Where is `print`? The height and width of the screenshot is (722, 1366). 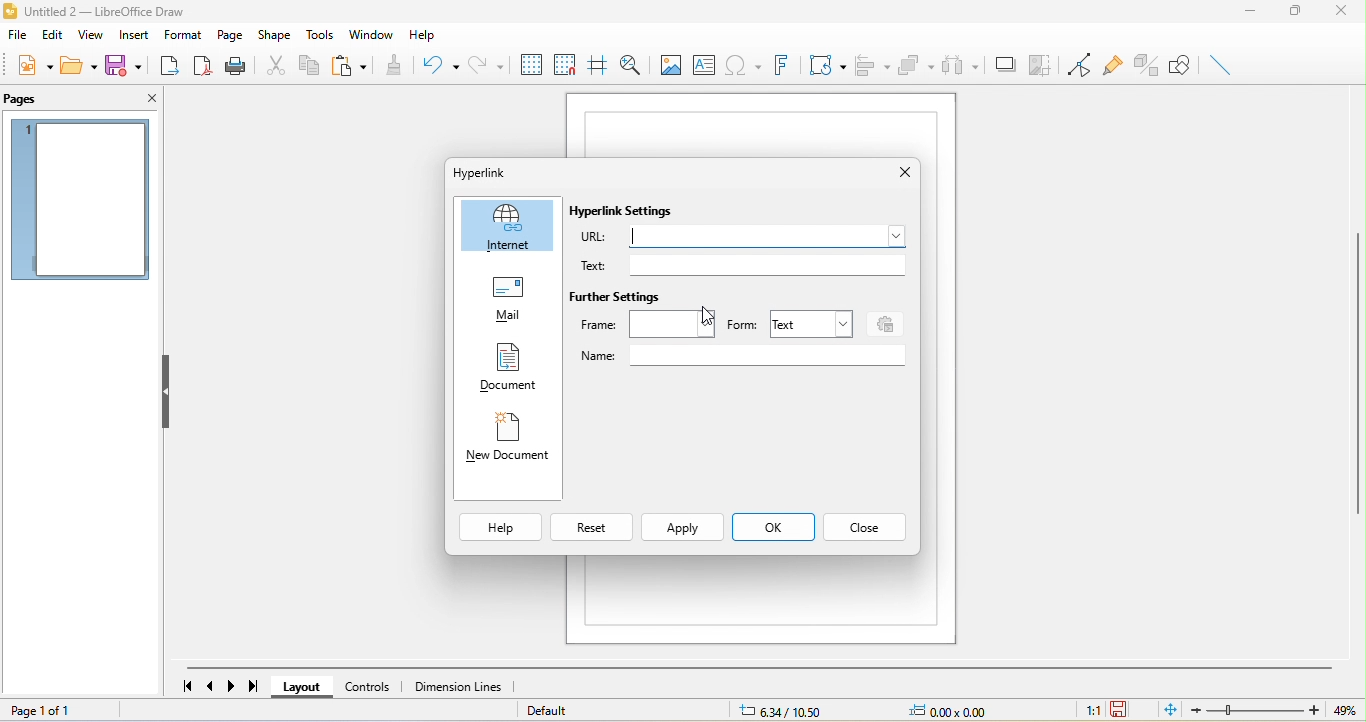
print is located at coordinates (237, 65).